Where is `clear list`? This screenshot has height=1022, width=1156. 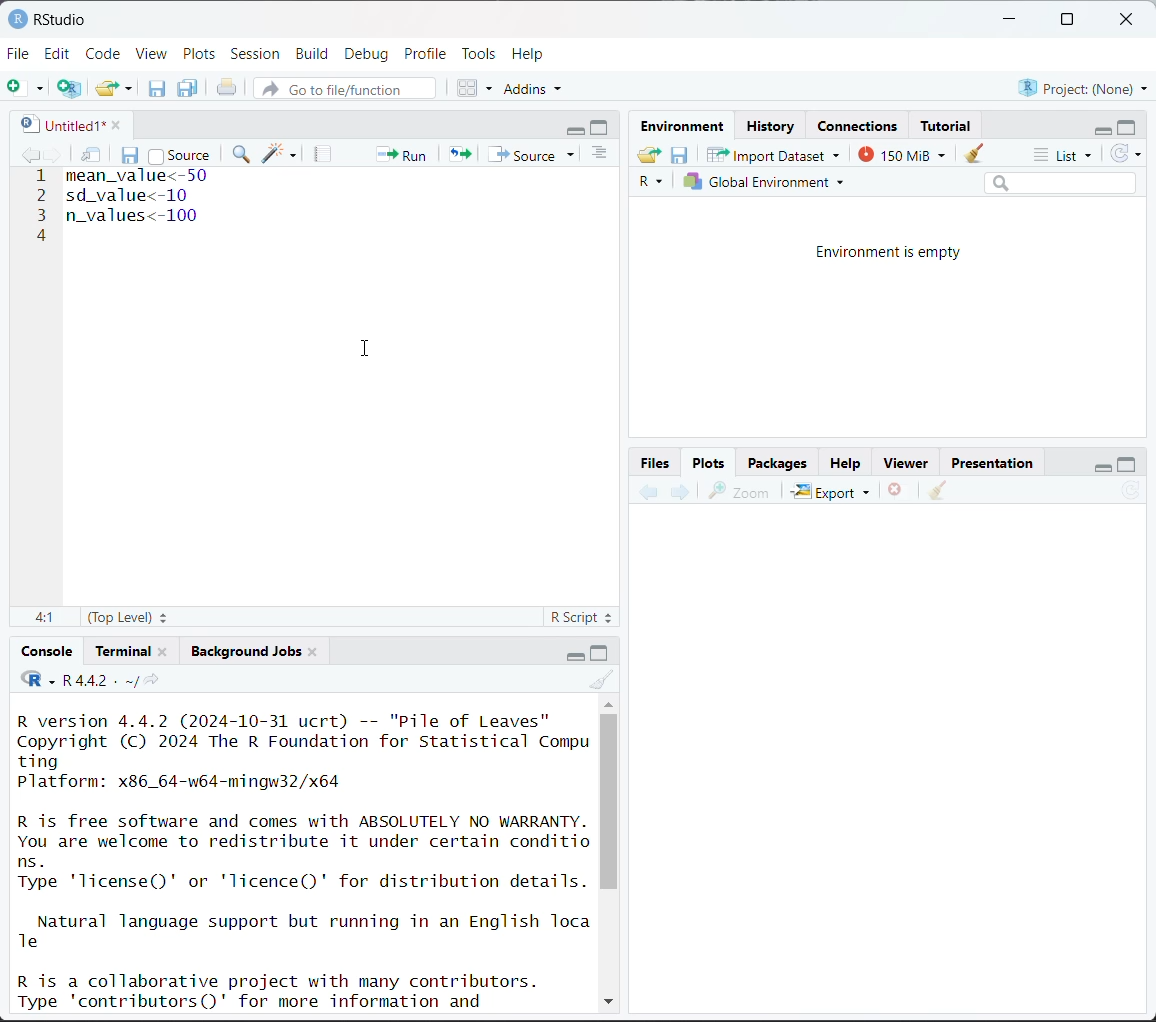 clear list is located at coordinates (131, 88).